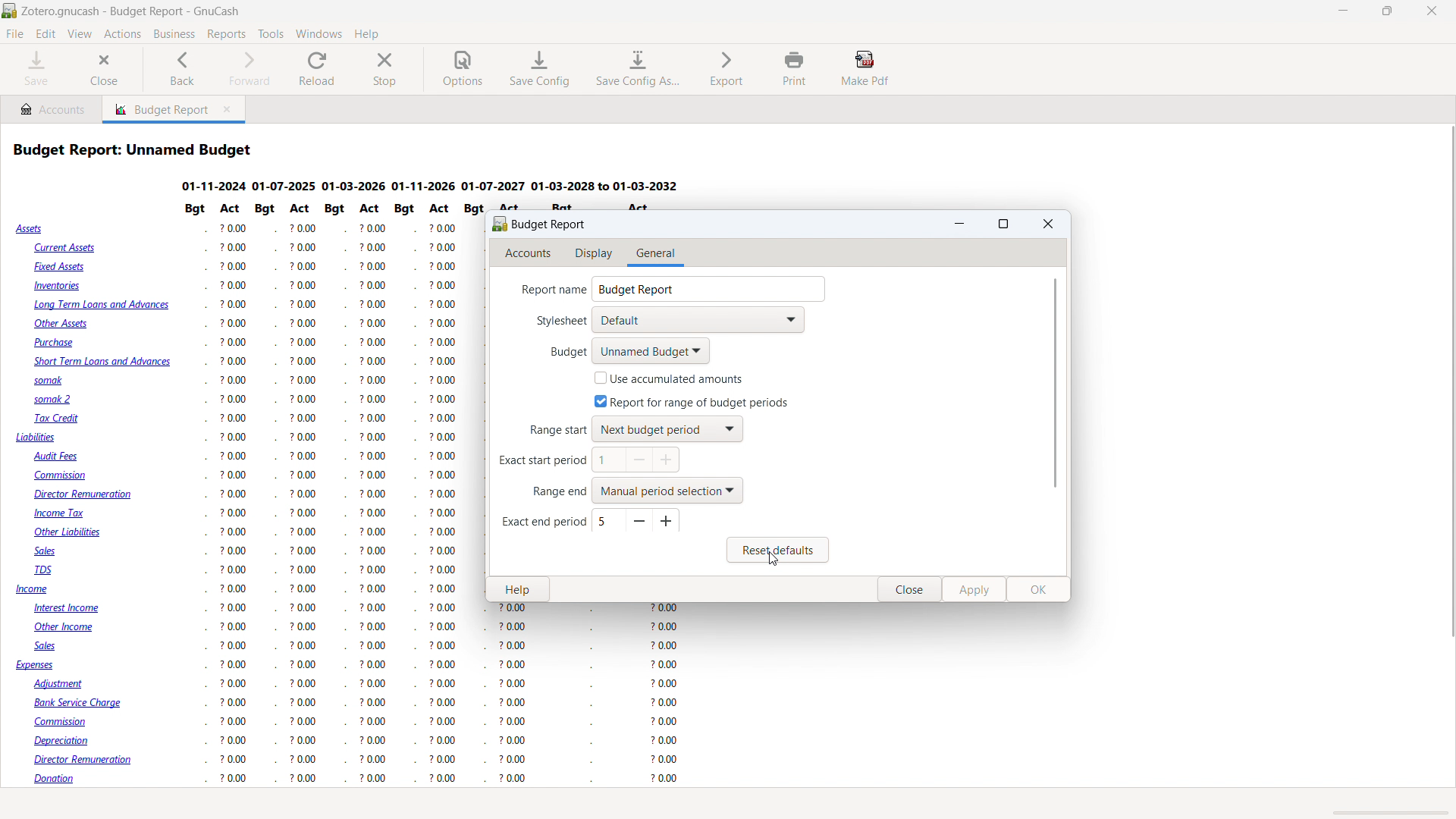 This screenshot has width=1456, height=819. What do you see at coordinates (46, 571) in the screenshot?
I see `IDS` at bounding box center [46, 571].